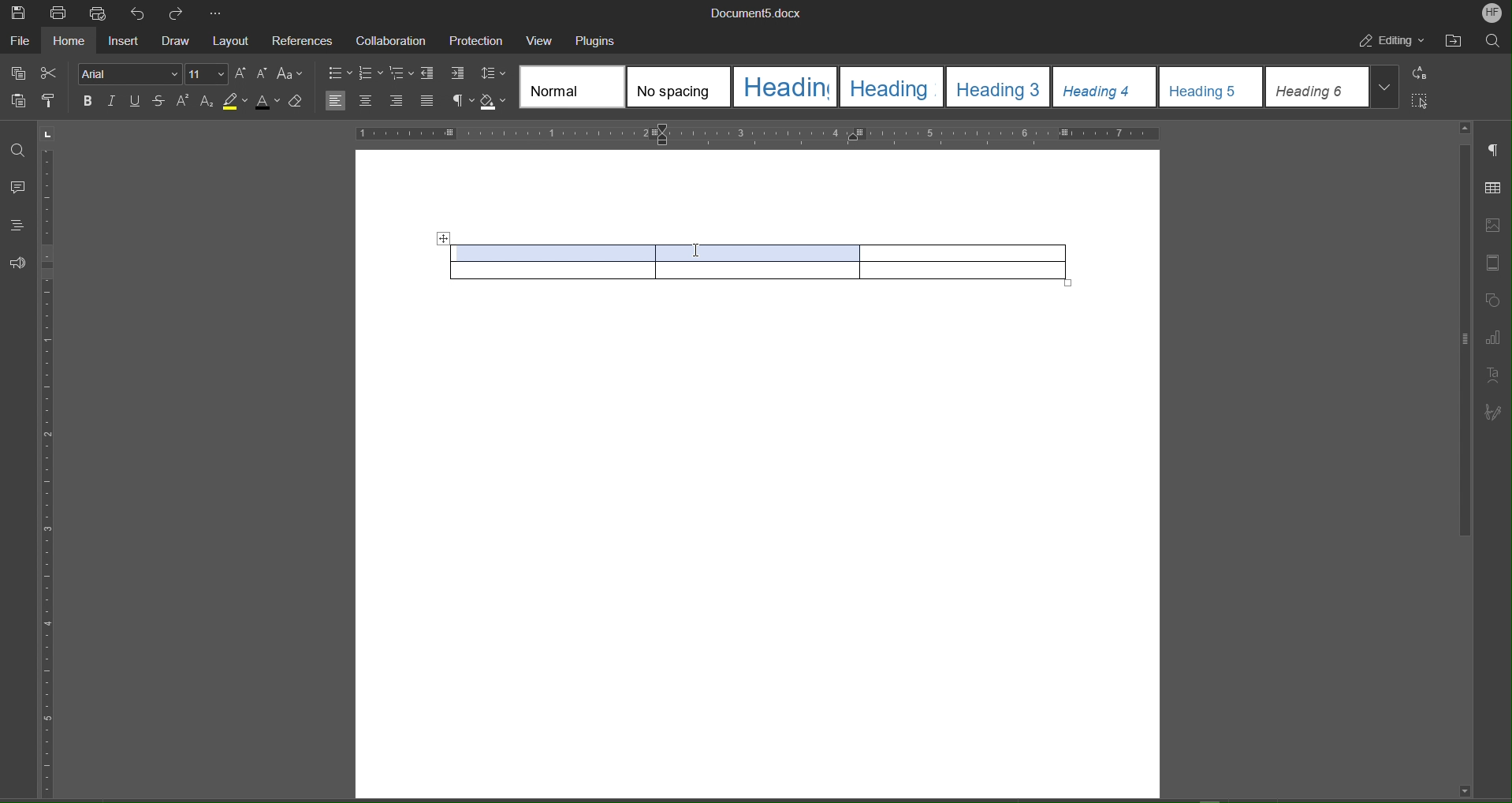 This screenshot has height=803, width=1512. Describe the element at coordinates (493, 74) in the screenshot. I see `Line Spacing` at that location.